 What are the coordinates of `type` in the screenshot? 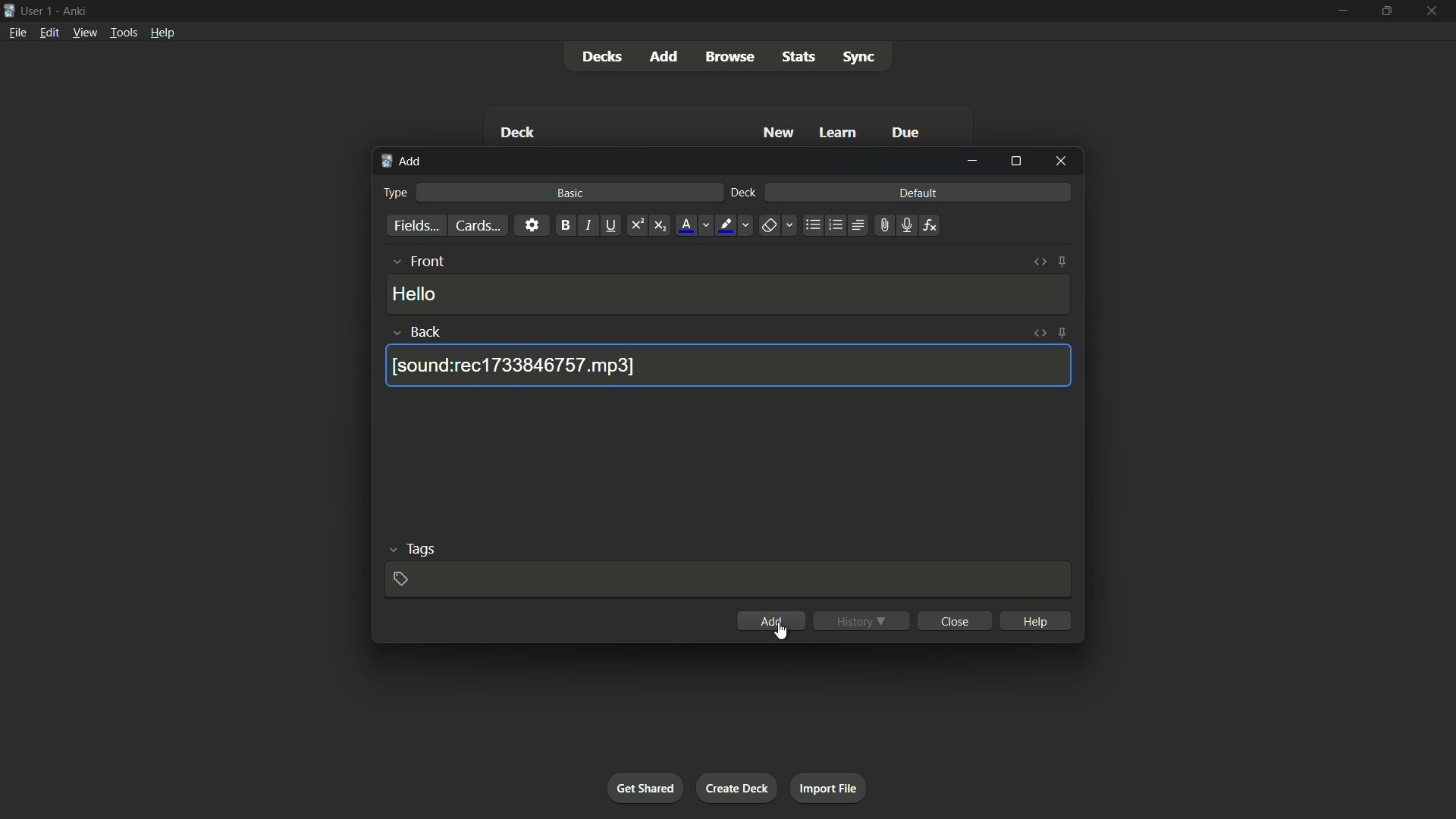 It's located at (396, 193).